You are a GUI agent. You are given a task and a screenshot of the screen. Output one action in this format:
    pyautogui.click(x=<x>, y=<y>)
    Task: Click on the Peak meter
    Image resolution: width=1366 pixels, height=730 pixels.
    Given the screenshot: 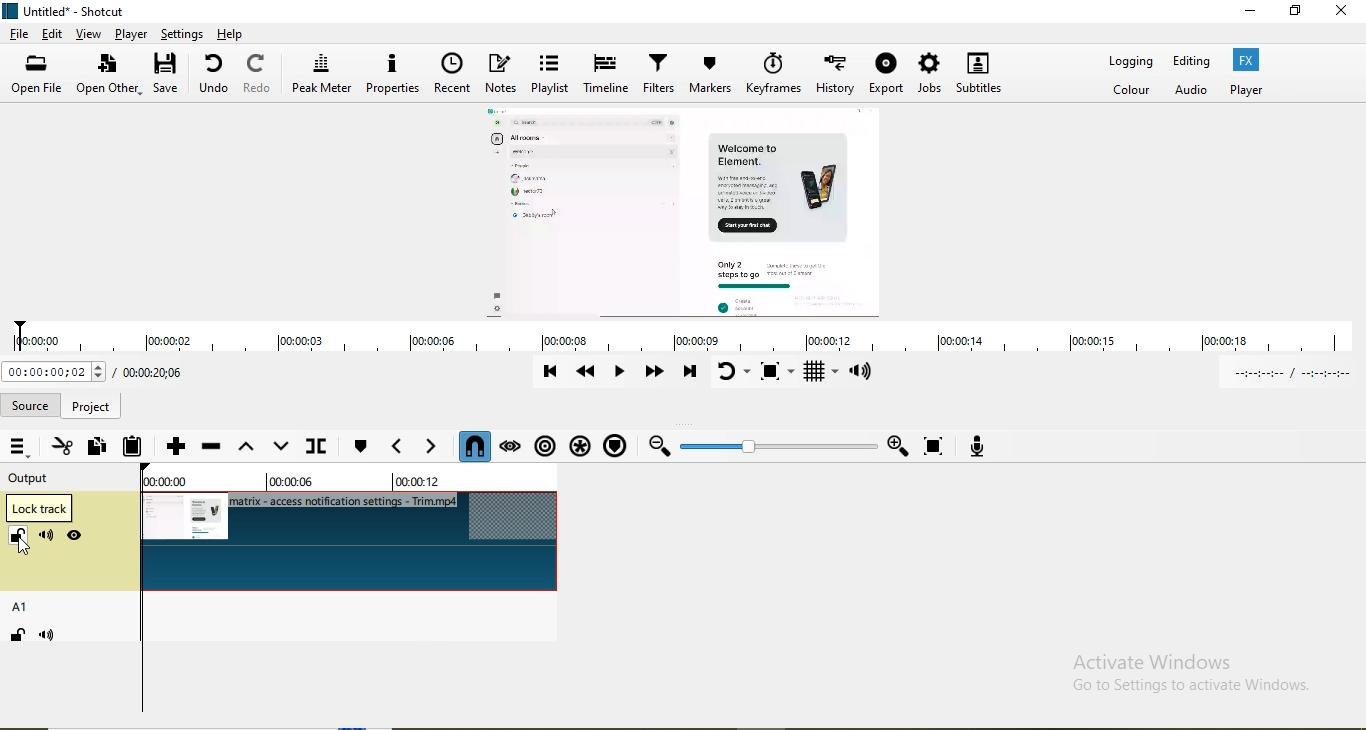 What is the action you would take?
    pyautogui.click(x=322, y=75)
    